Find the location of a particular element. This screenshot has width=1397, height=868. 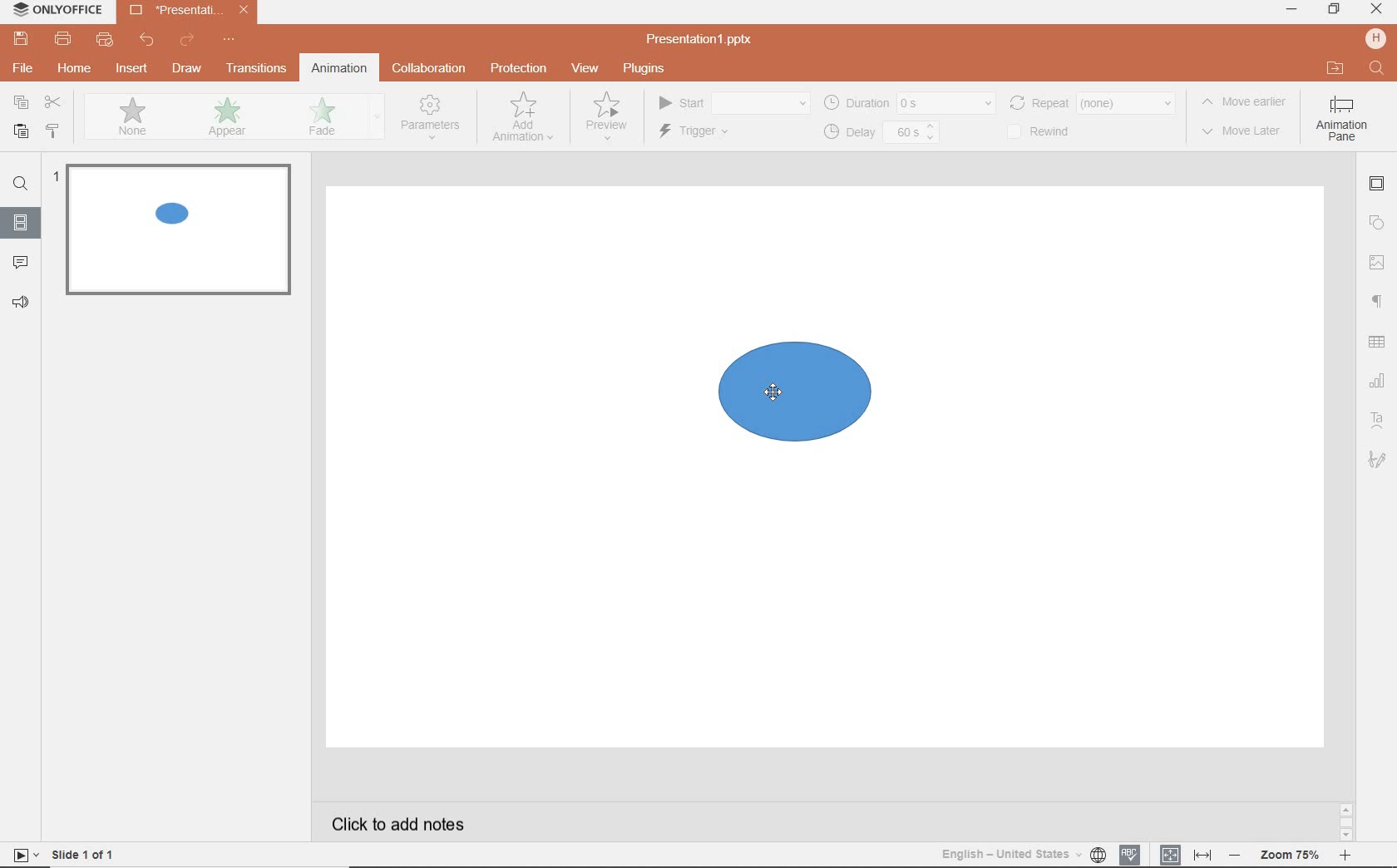

image settings is located at coordinates (1376, 260).